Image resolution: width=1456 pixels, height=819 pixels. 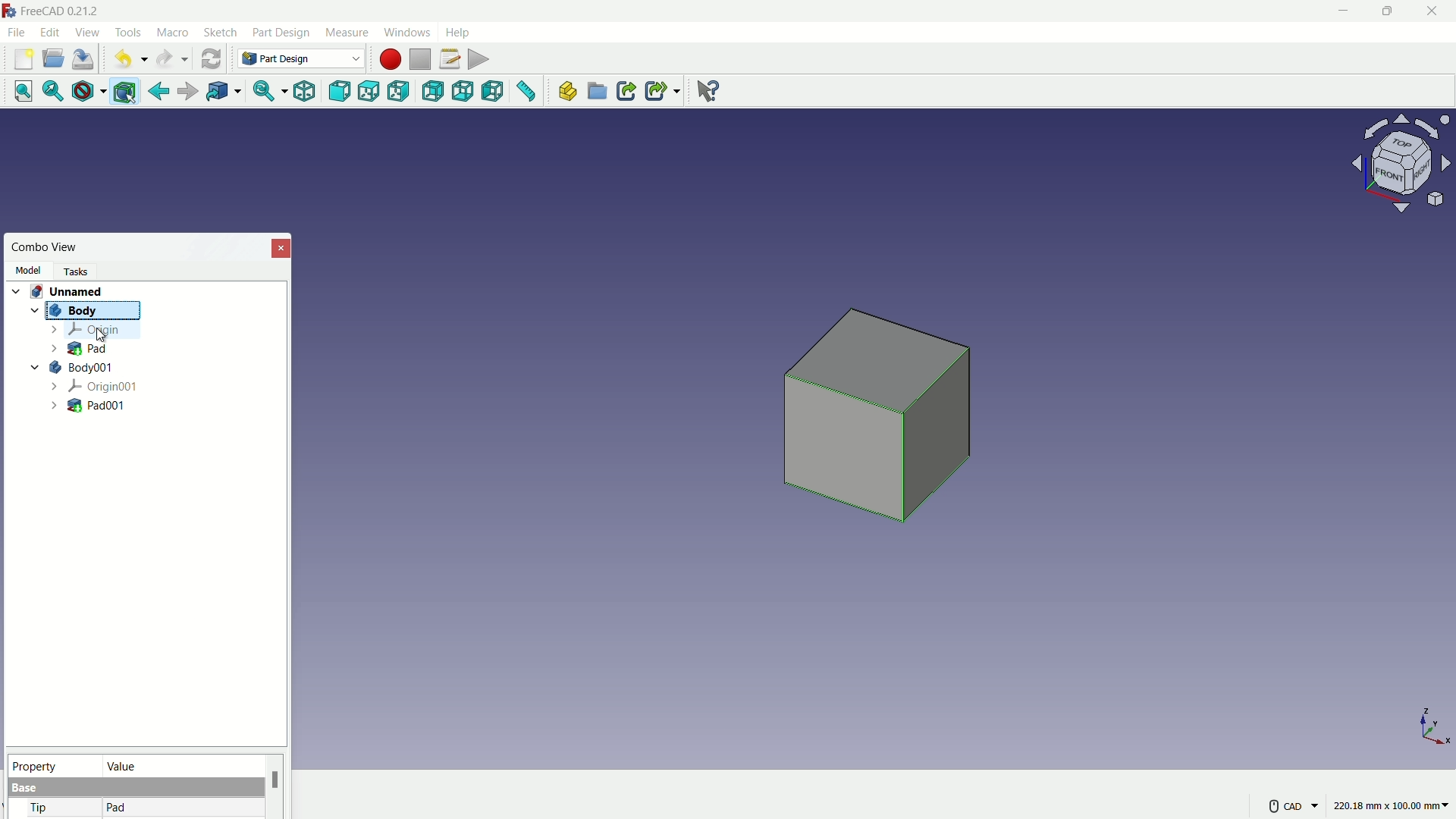 I want to click on make link, so click(x=626, y=93).